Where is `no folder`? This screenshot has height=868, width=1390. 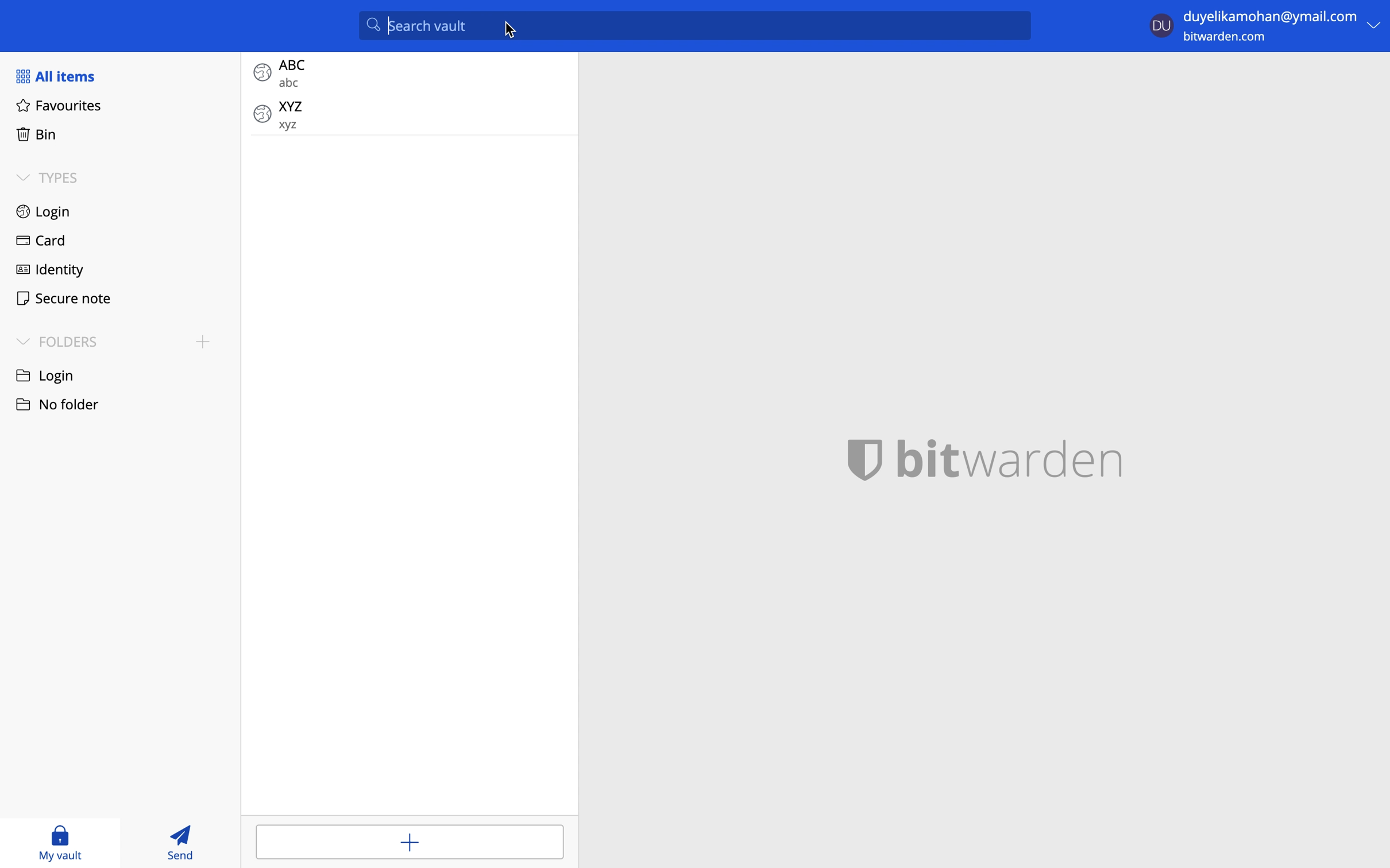 no folder is located at coordinates (62, 404).